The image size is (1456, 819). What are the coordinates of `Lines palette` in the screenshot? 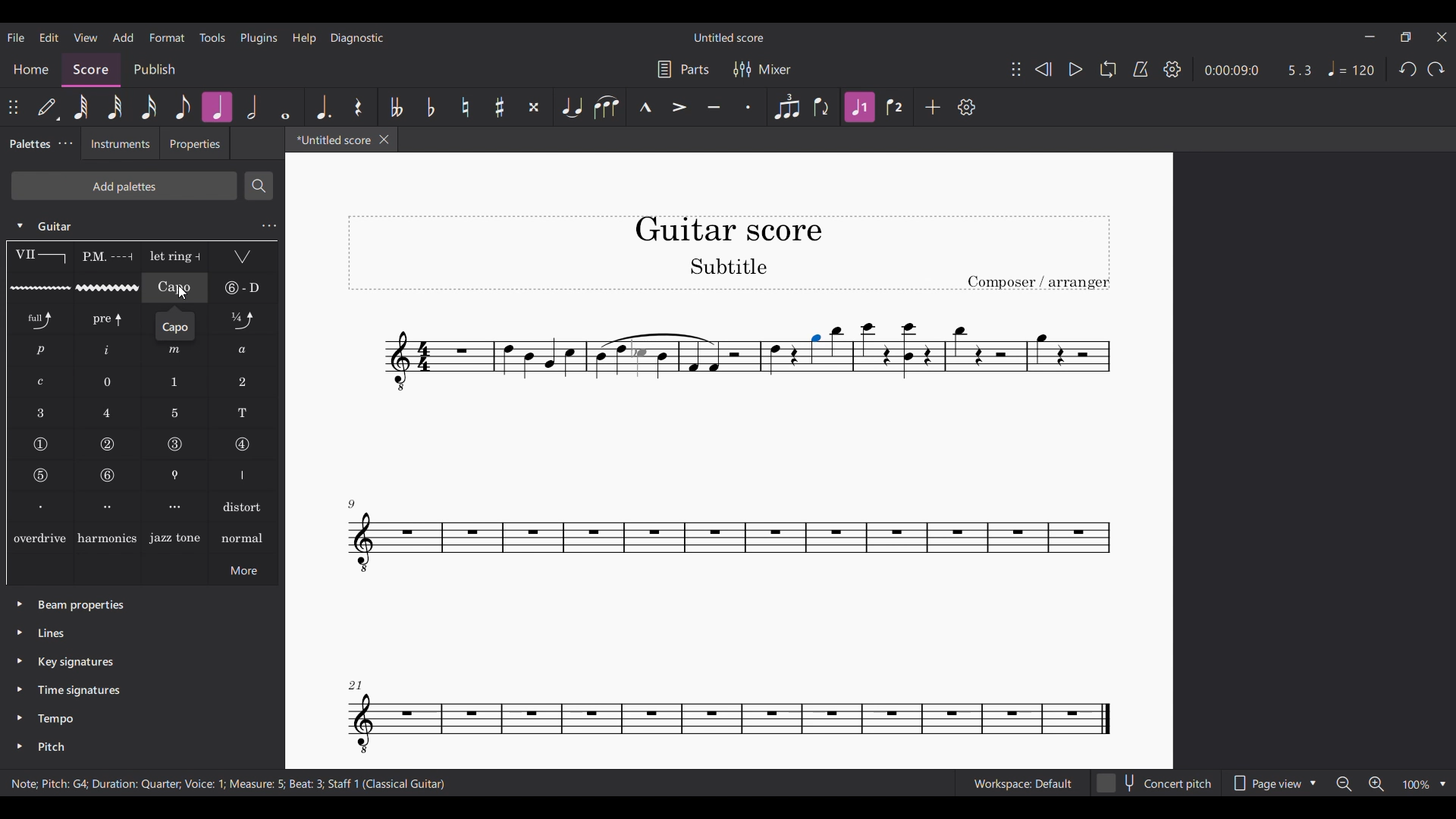 It's located at (52, 632).